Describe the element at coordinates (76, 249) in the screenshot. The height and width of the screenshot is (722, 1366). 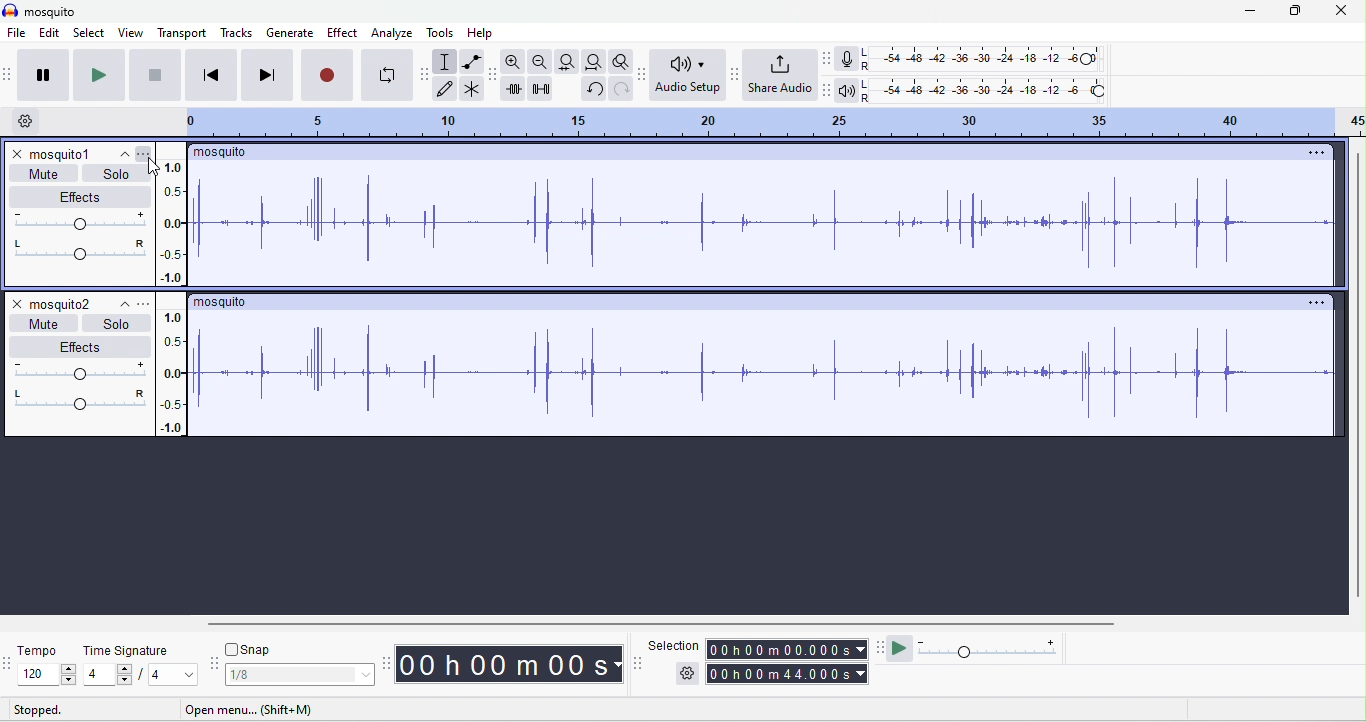
I see `pan` at that location.